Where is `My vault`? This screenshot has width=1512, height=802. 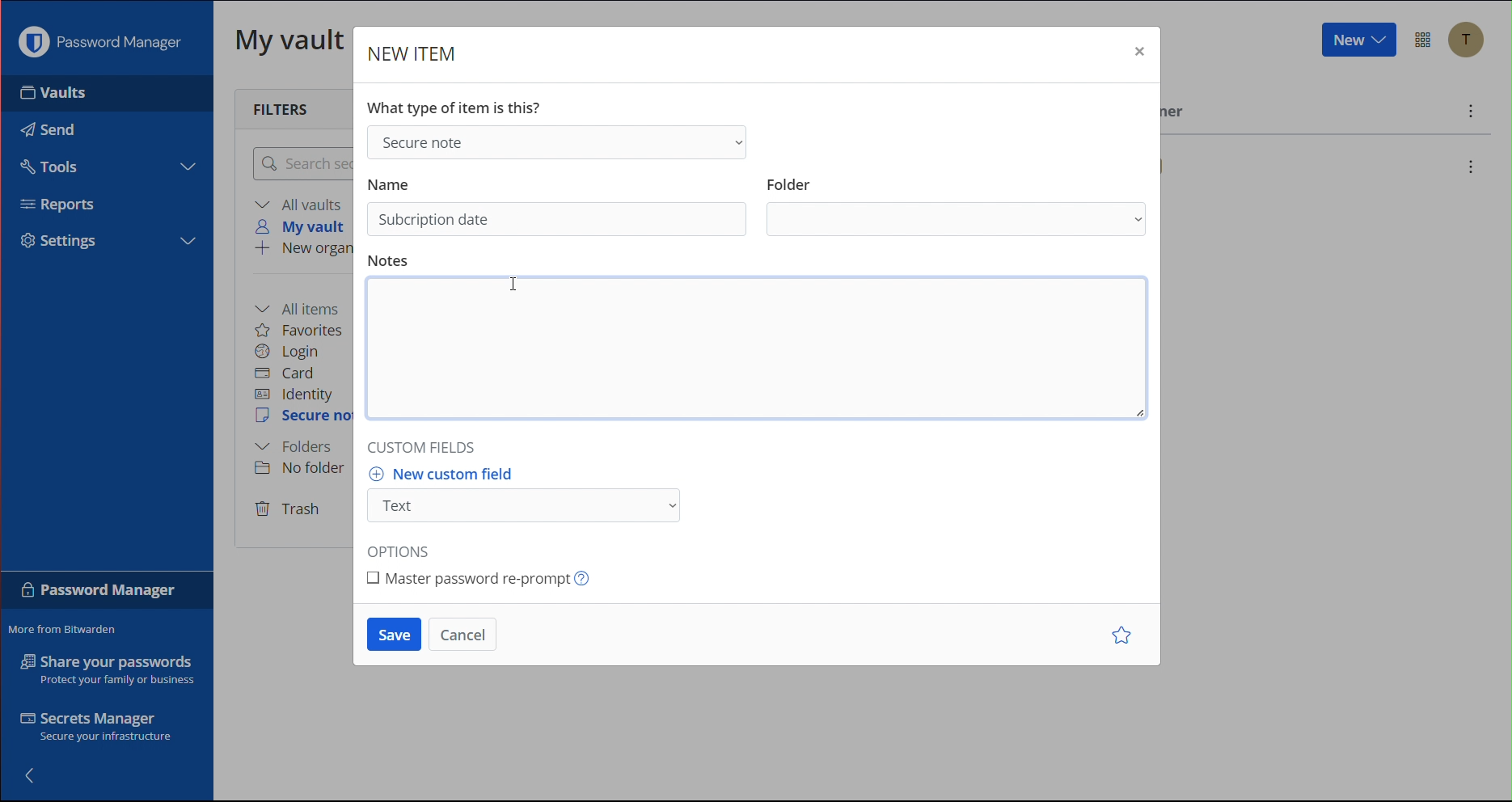 My vault is located at coordinates (305, 226).